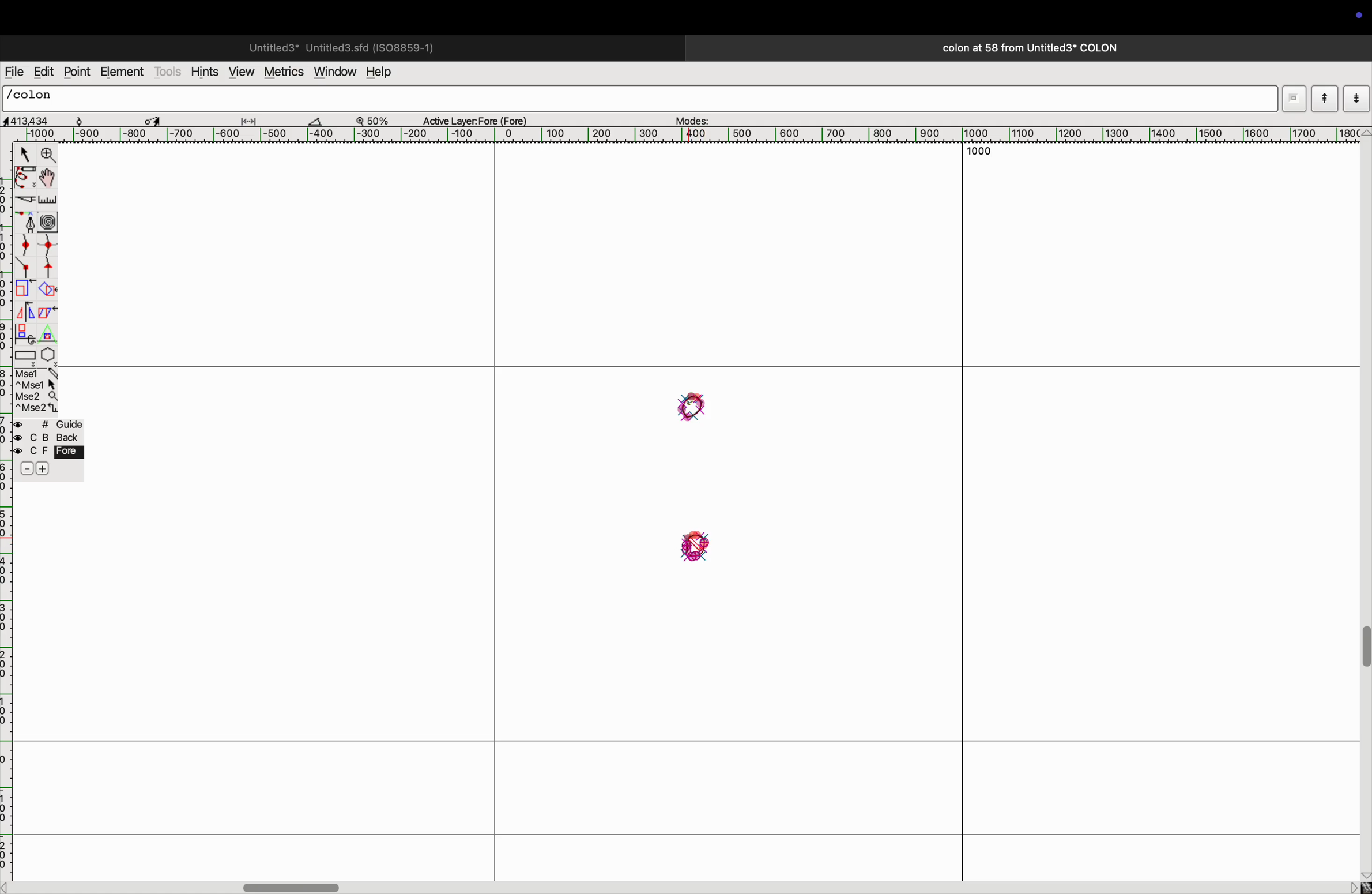  I want to click on snow, so click(91, 119).